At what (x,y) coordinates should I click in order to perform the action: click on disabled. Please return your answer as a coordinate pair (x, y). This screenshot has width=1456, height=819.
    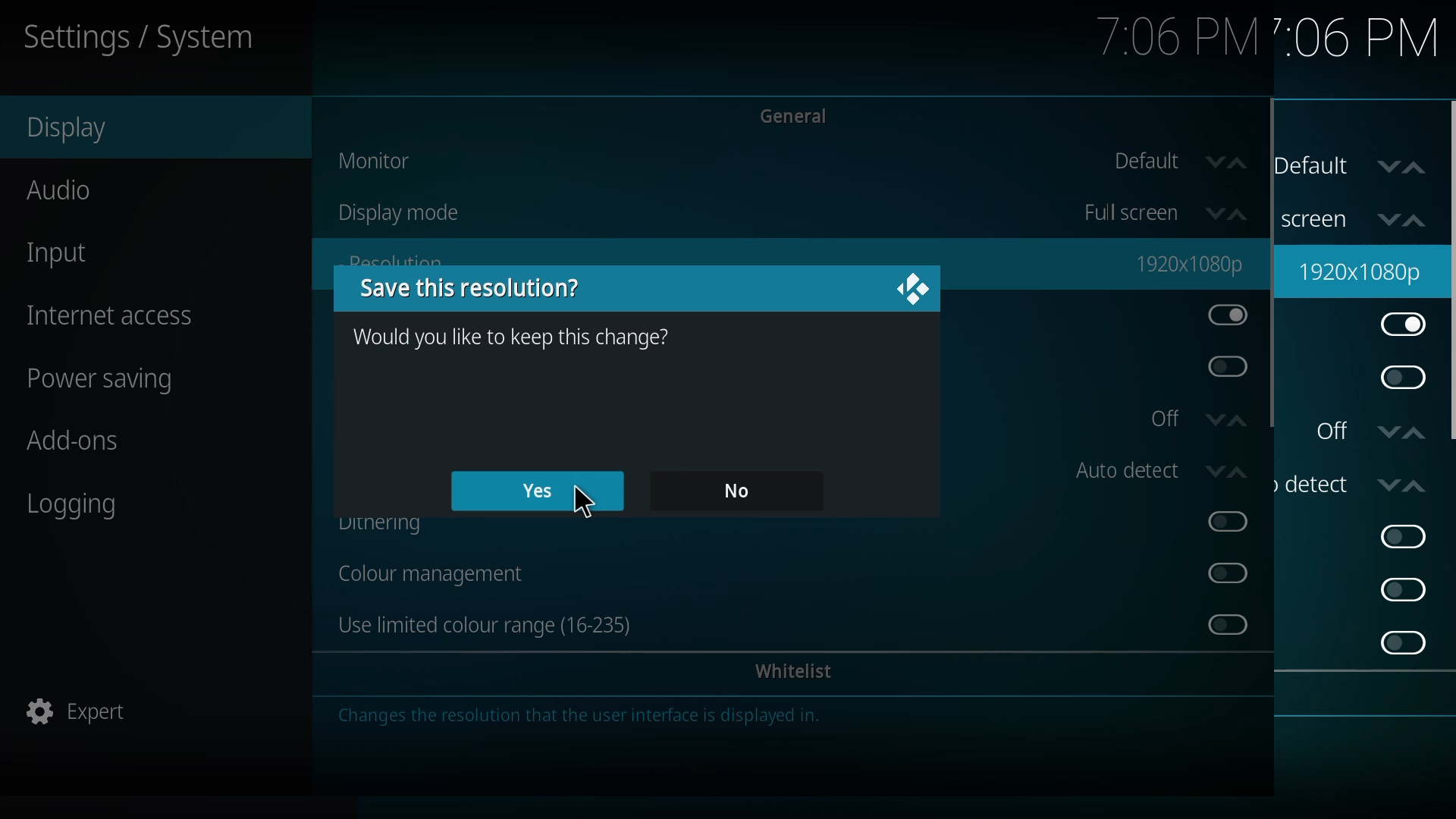
    Looking at the image, I should click on (1231, 369).